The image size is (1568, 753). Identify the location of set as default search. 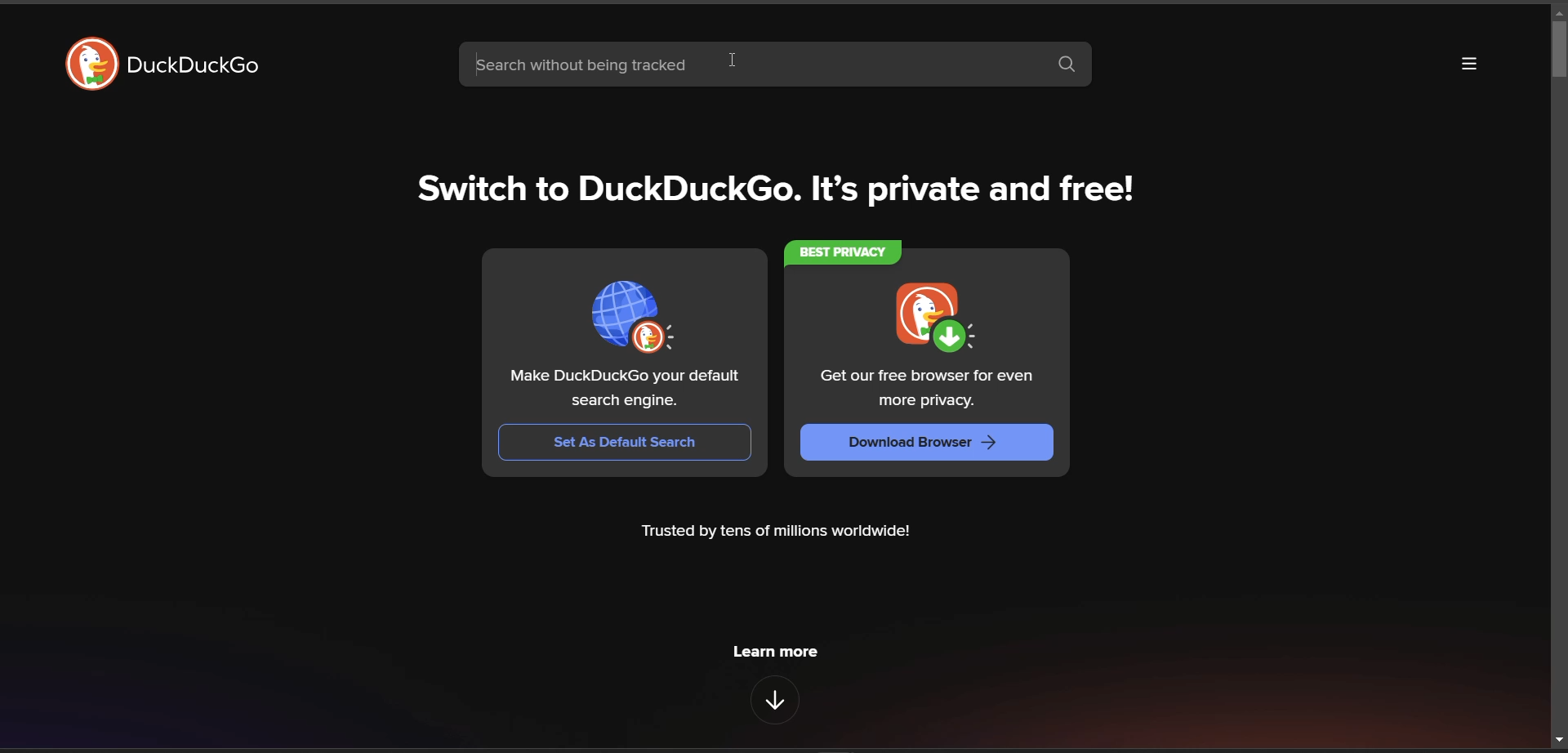
(627, 443).